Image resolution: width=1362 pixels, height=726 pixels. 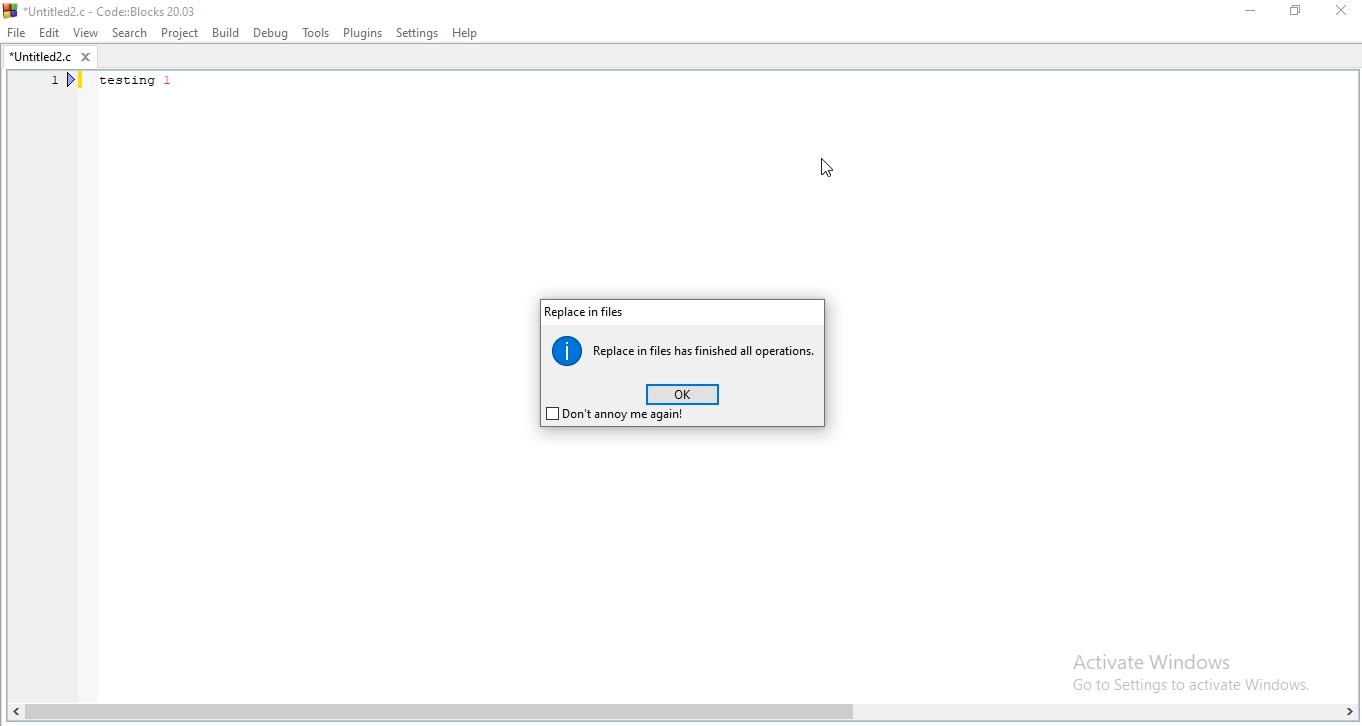 What do you see at coordinates (613, 417) in the screenshot?
I see `don't annoy me again!` at bounding box center [613, 417].